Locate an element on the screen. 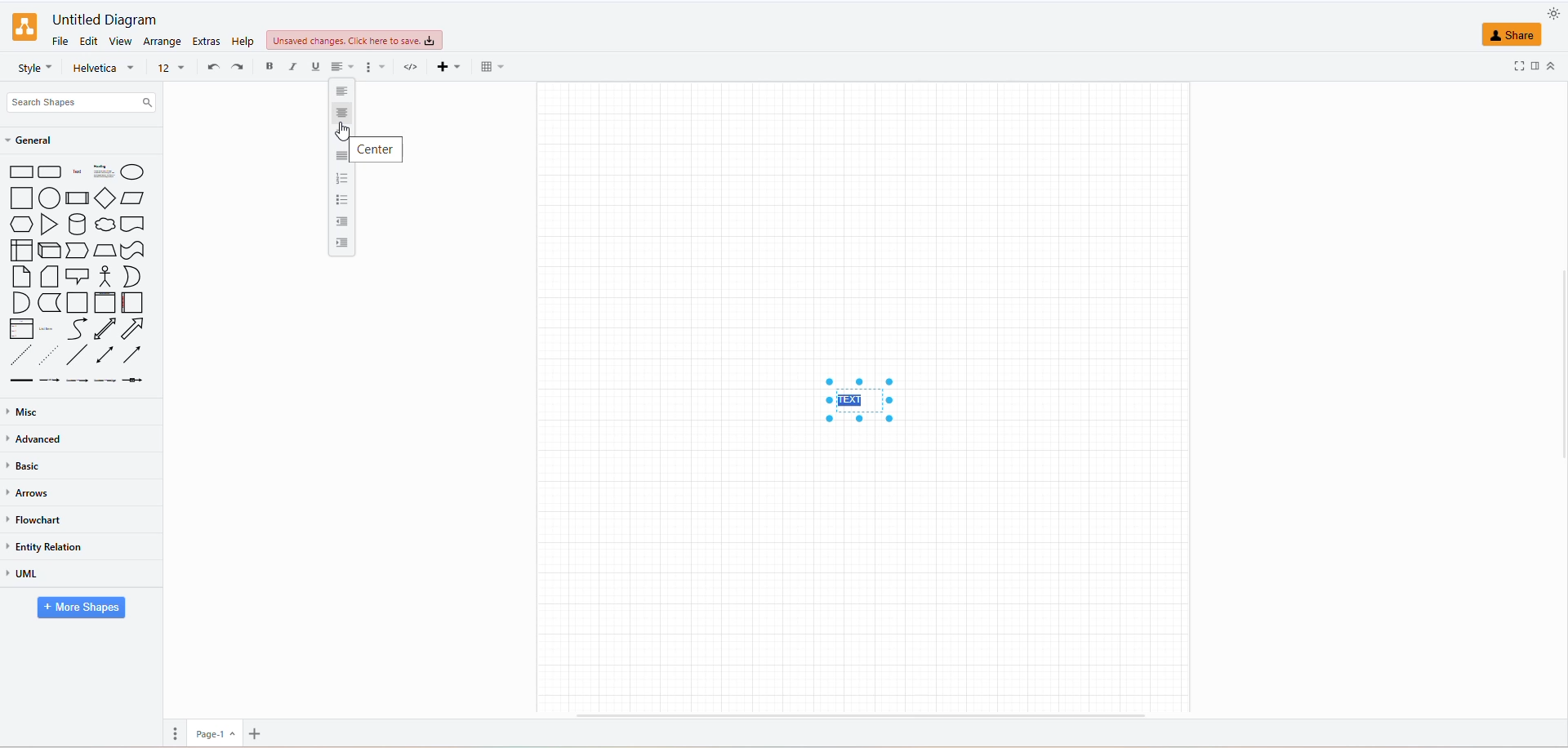 The image size is (1568, 748). more shapes is located at coordinates (77, 608).